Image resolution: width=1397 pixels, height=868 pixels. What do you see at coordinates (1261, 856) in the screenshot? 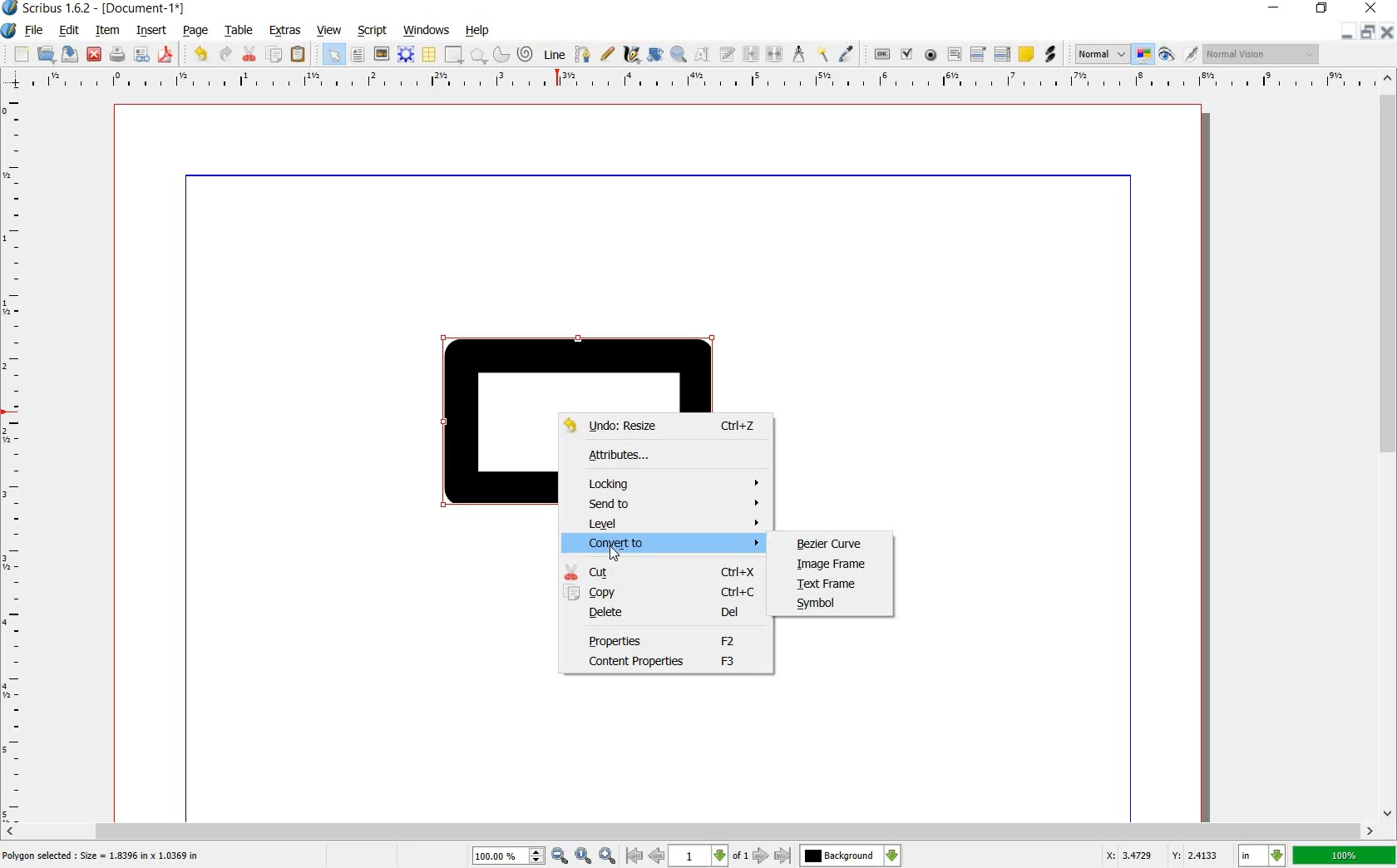
I see `set unit` at bounding box center [1261, 856].